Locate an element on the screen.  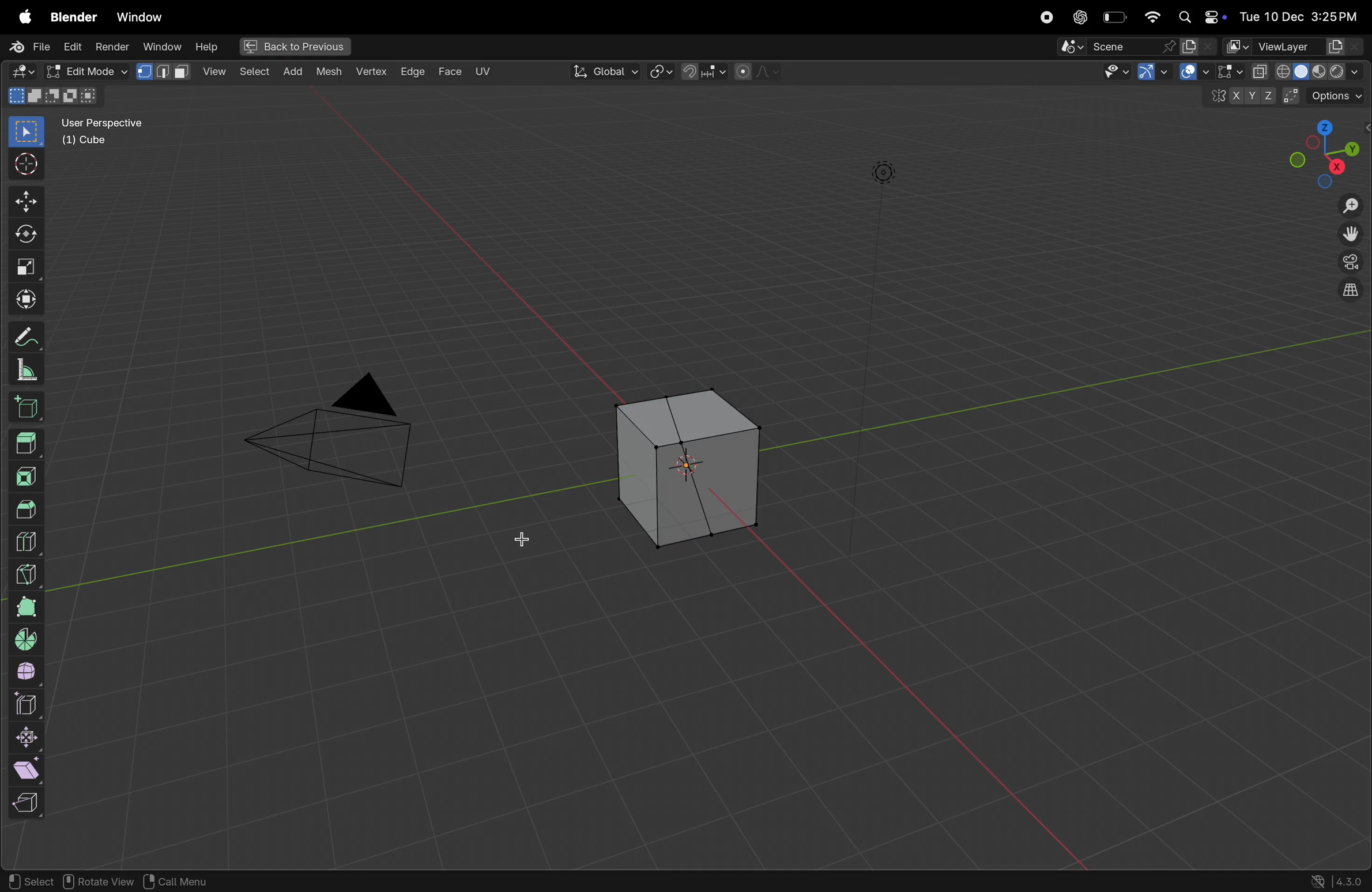
Scene is located at coordinates (1137, 47).